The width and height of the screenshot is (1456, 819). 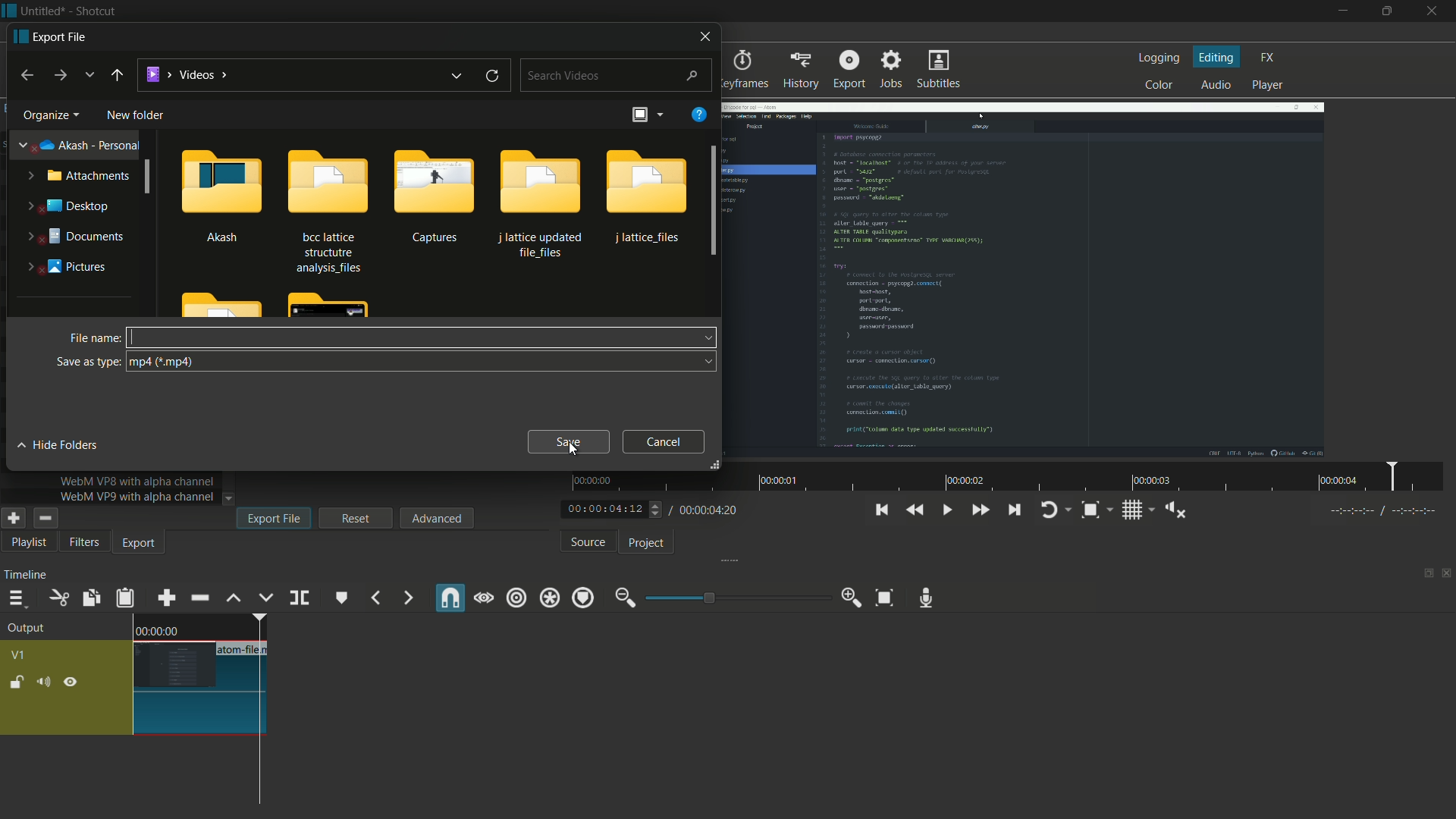 What do you see at coordinates (52, 36) in the screenshot?
I see `export` at bounding box center [52, 36].